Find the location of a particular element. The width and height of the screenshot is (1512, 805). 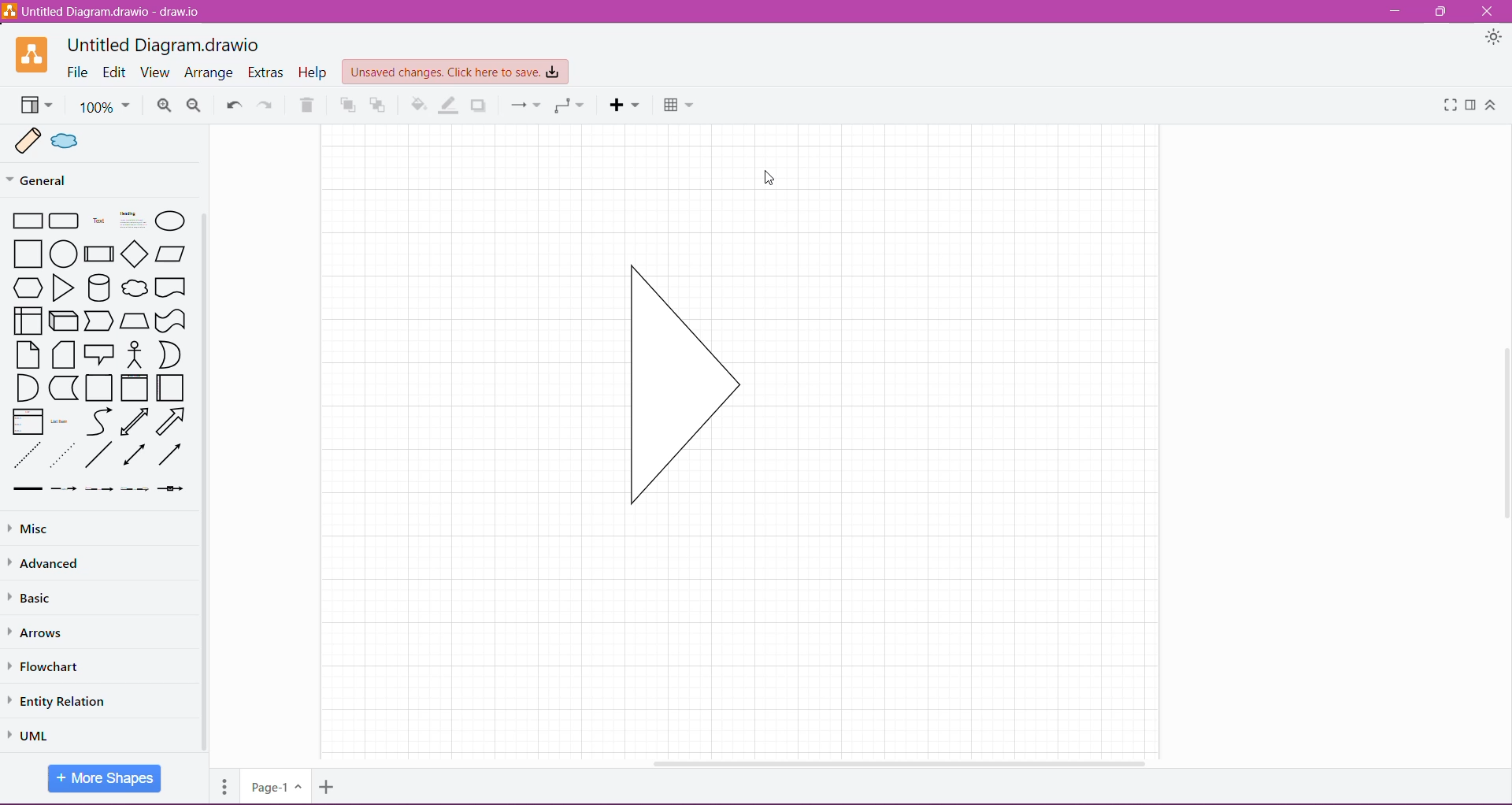

Arrange is located at coordinates (210, 72).